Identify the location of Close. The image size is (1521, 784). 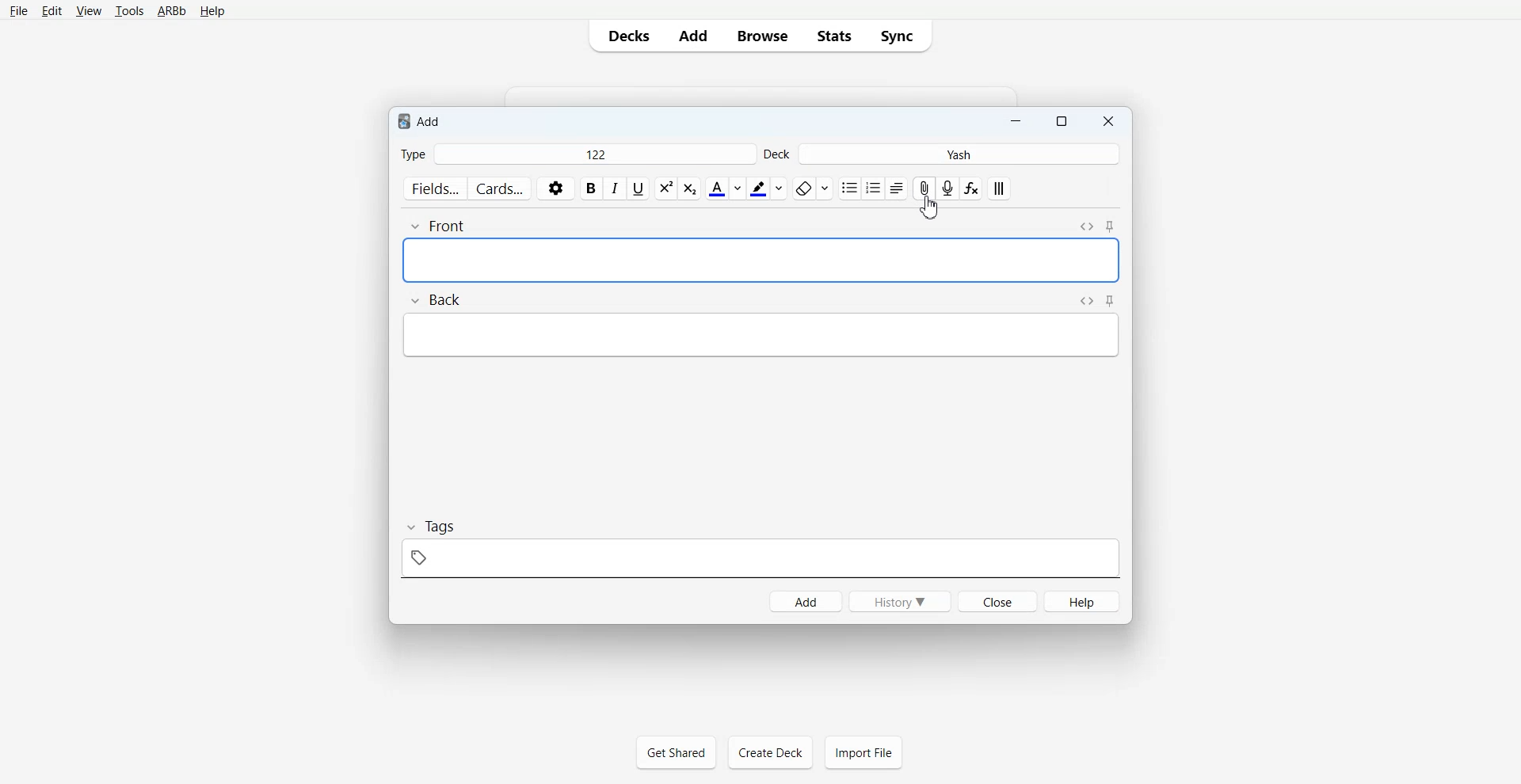
(1107, 121).